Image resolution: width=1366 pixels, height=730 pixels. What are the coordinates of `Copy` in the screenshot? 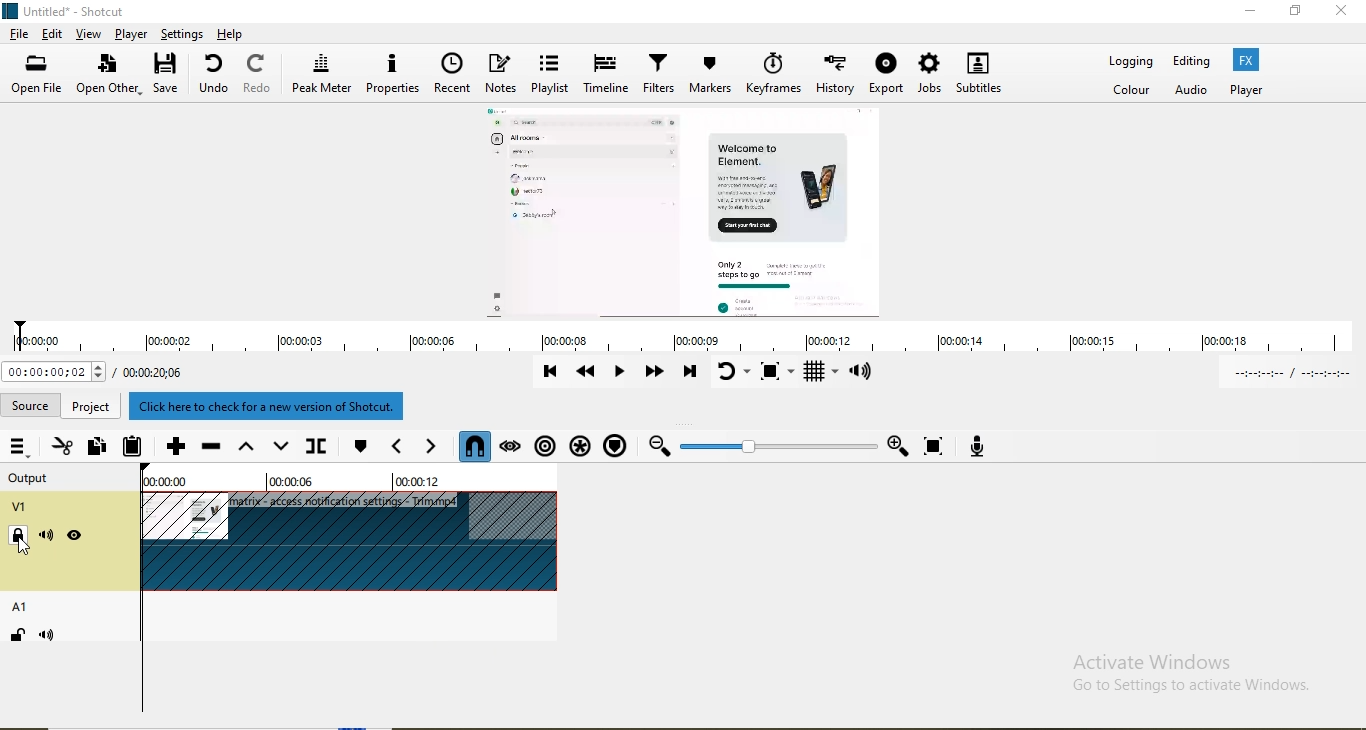 It's located at (95, 448).